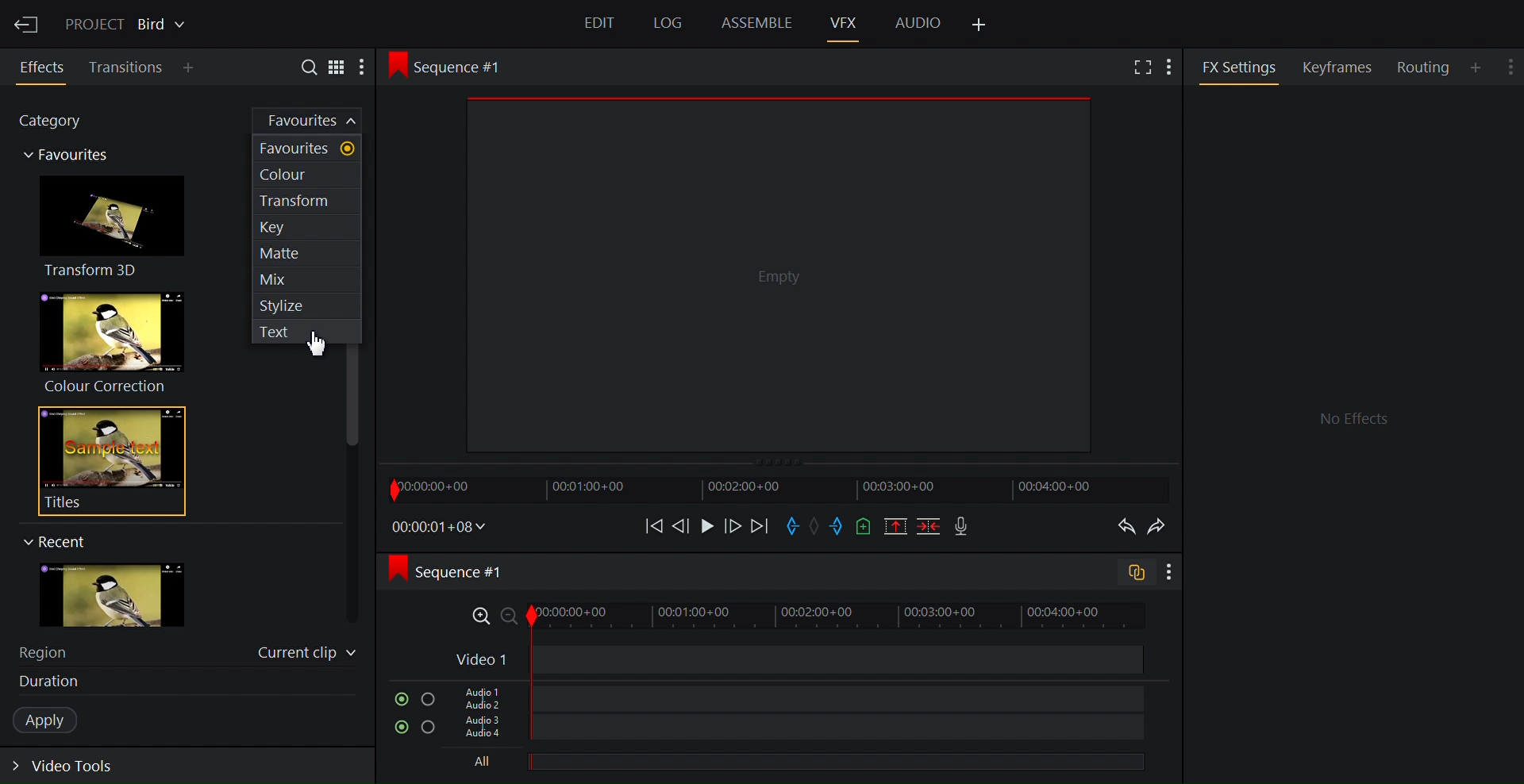 The height and width of the screenshot is (784, 1524). Describe the element at coordinates (67, 540) in the screenshot. I see `Recent` at that location.